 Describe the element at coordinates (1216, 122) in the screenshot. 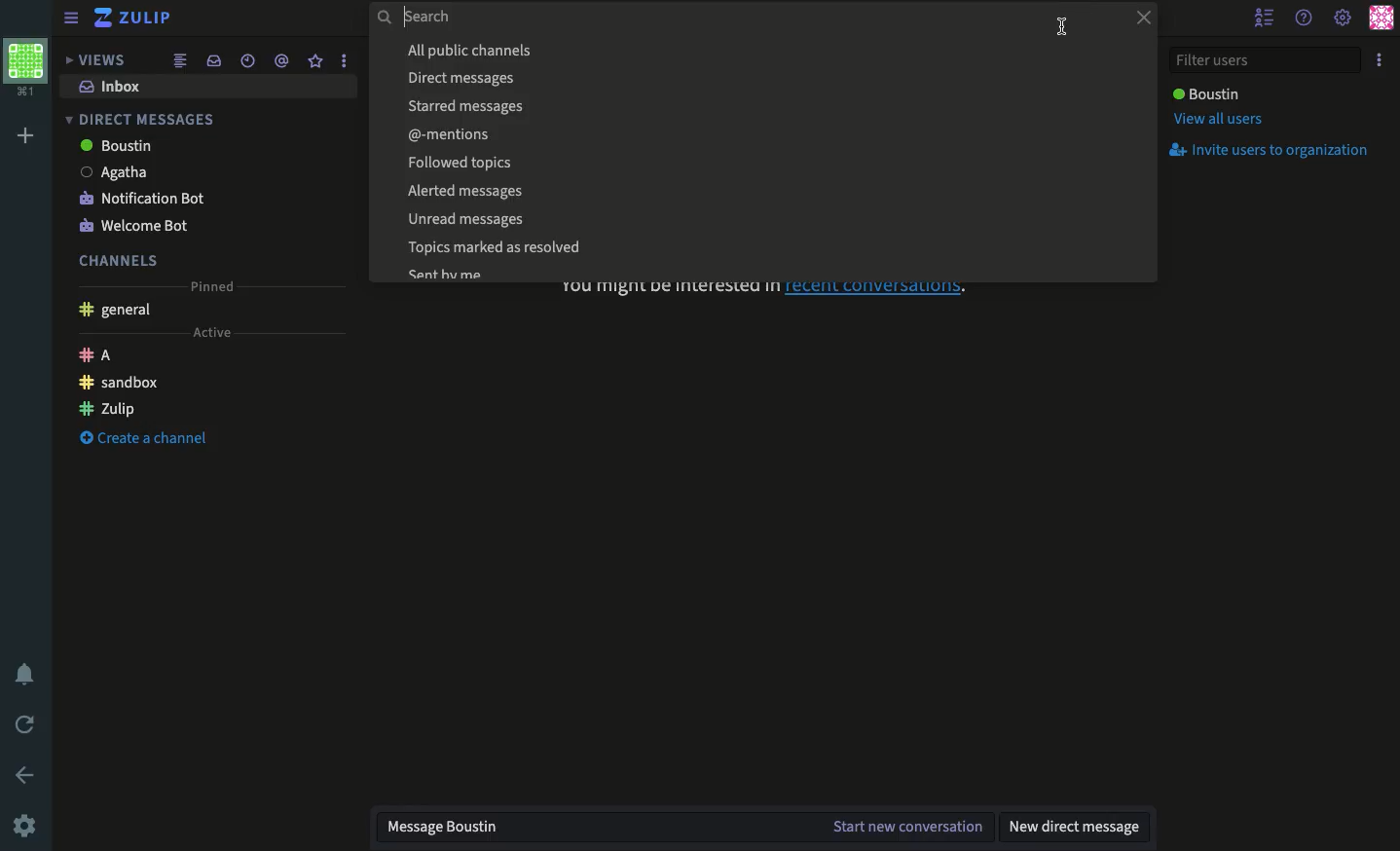

I see `View all users` at that location.